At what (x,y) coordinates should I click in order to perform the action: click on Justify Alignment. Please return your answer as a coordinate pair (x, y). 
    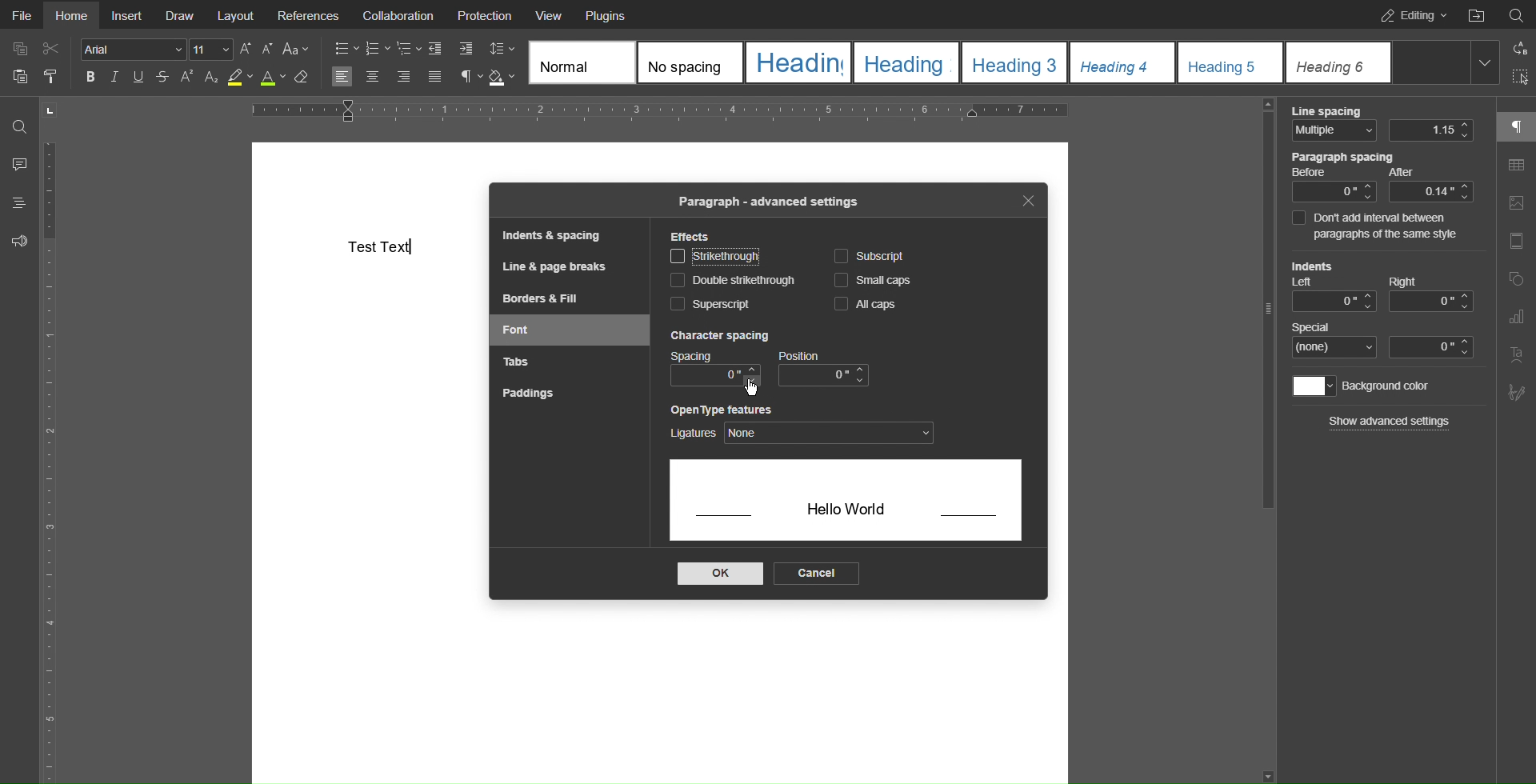
    Looking at the image, I should click on (434, 78).